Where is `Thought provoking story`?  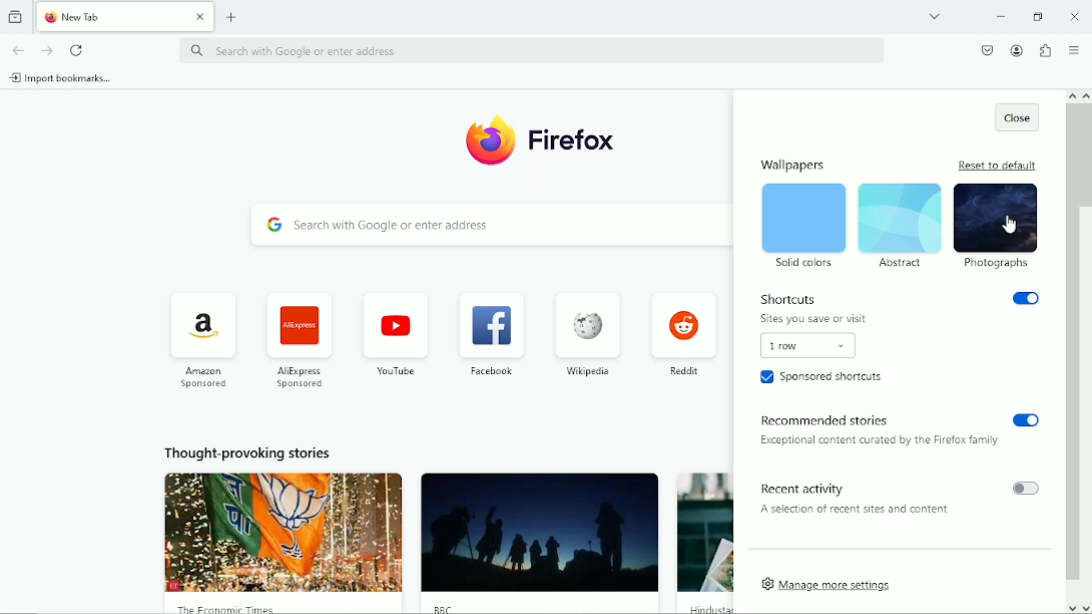
Thought provoking story is located at coordinates (542, 541).